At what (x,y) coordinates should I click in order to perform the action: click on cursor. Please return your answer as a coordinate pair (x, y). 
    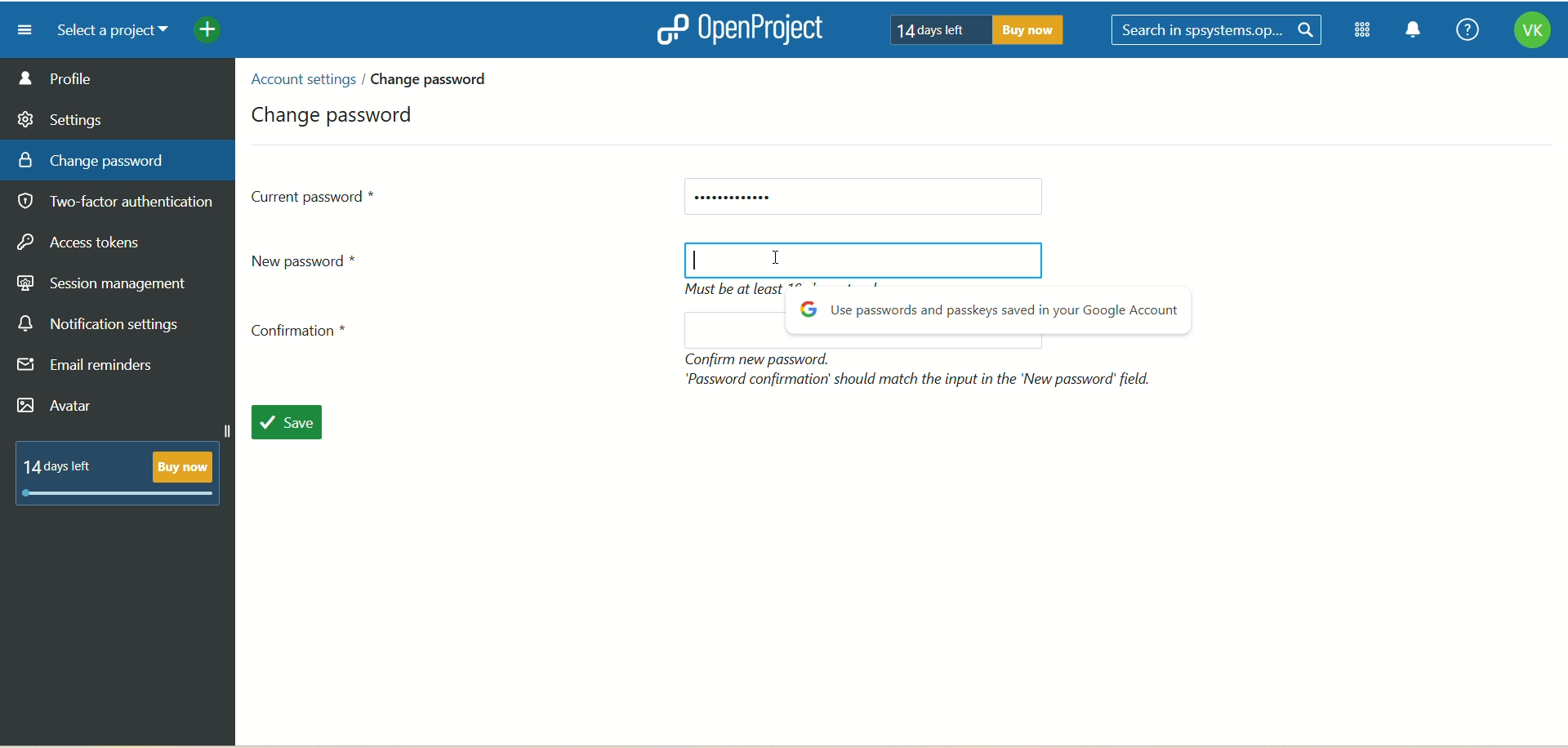
    Looking at the image, I should click on (783, 257).